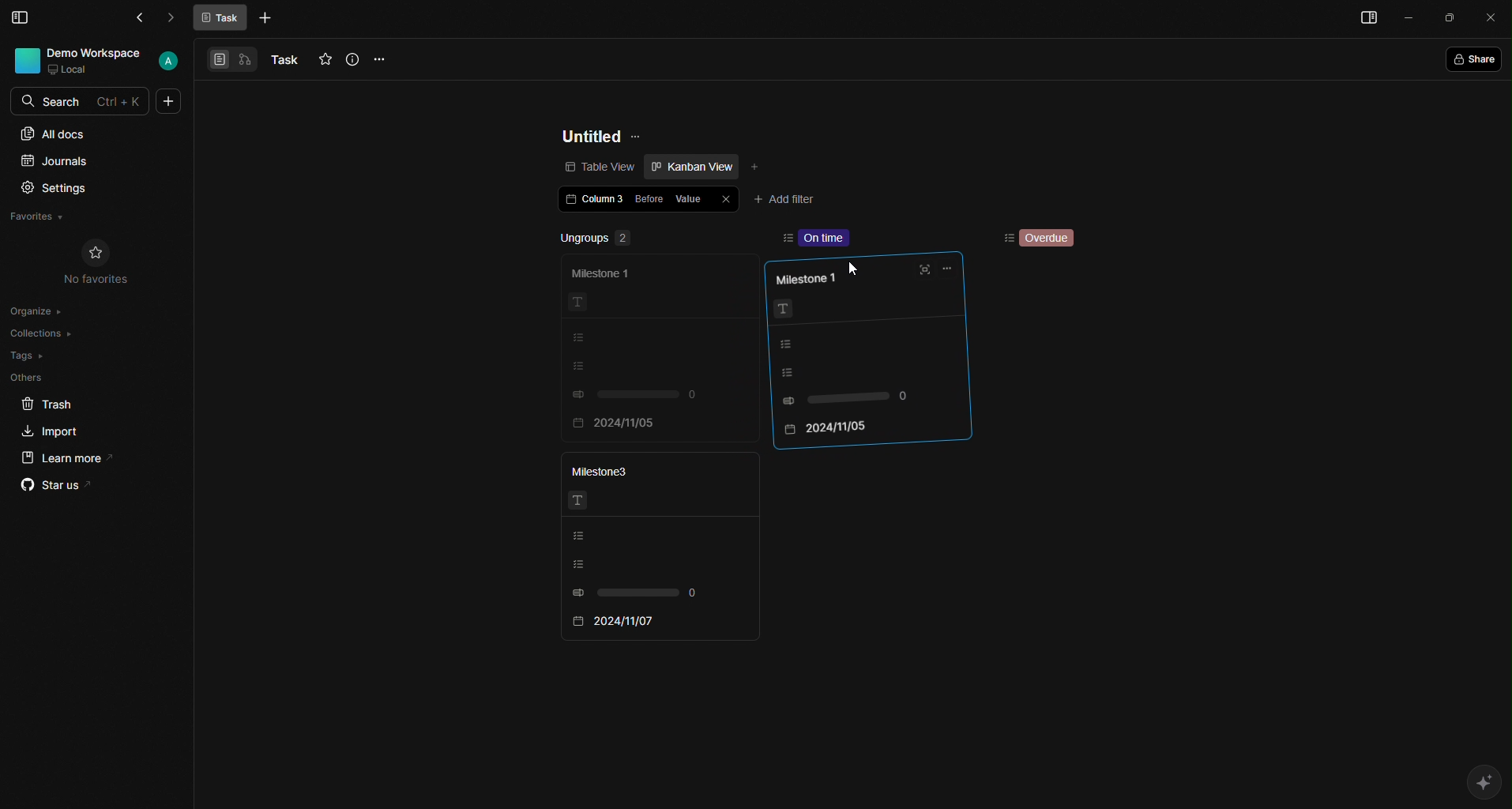 This screenshot has width=1512, height=809. Describe the element at coordinates (826, 238) in the screenshot. I see `On time` at that location.